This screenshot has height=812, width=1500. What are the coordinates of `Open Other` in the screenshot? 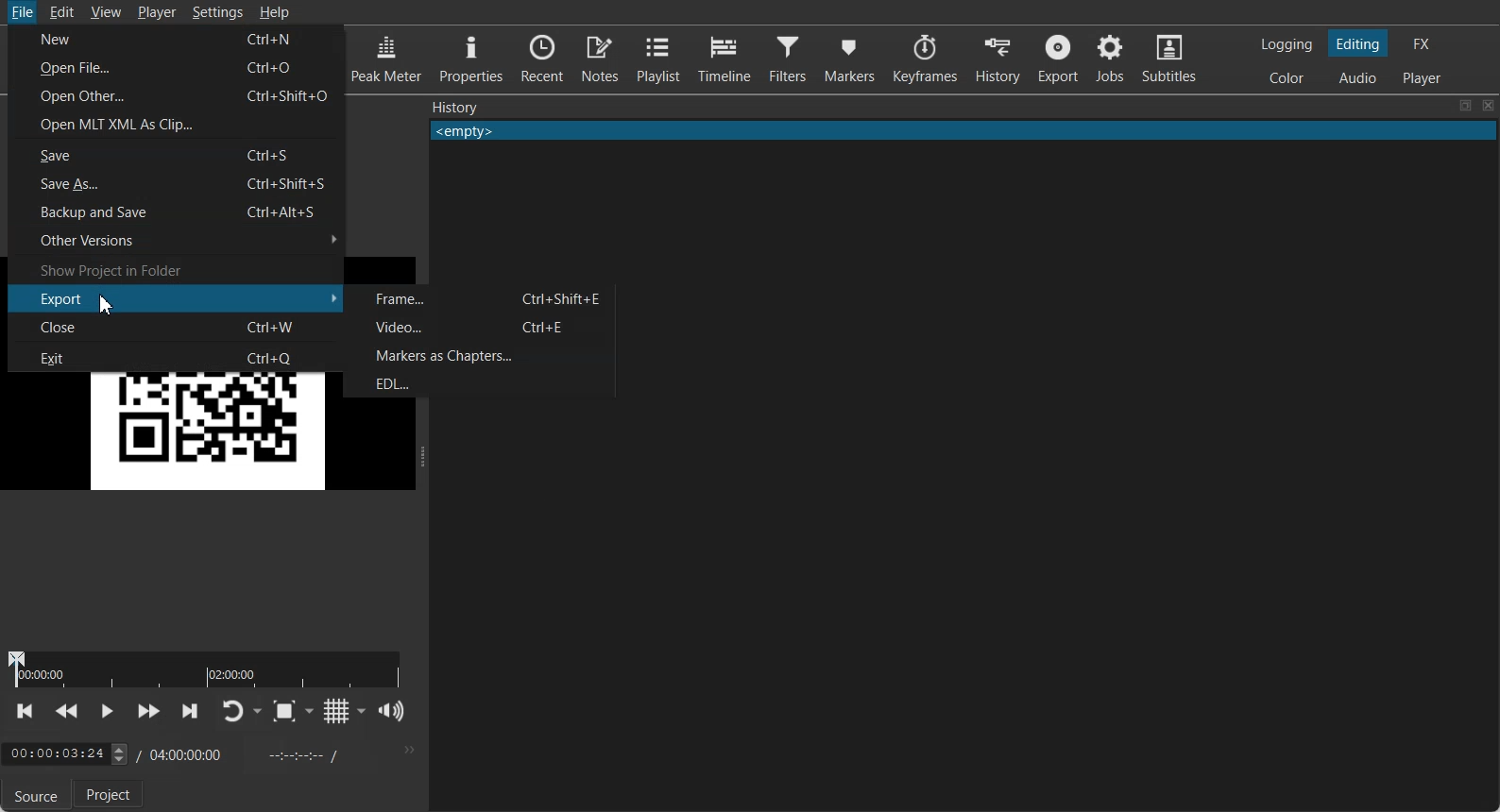 It's located at (82, 98).